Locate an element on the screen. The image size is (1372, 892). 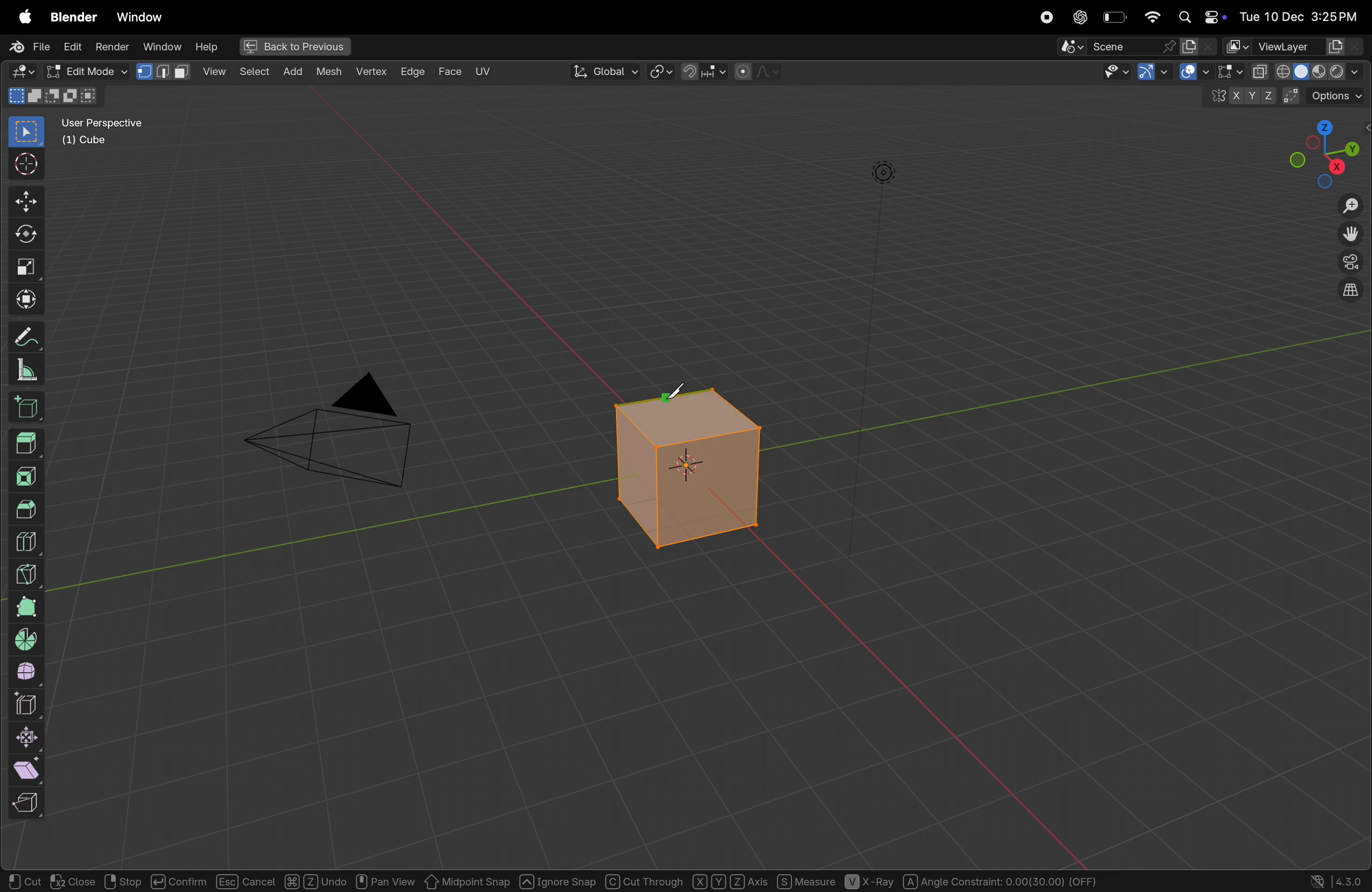
date and time is located at coordinates (1303, 13).